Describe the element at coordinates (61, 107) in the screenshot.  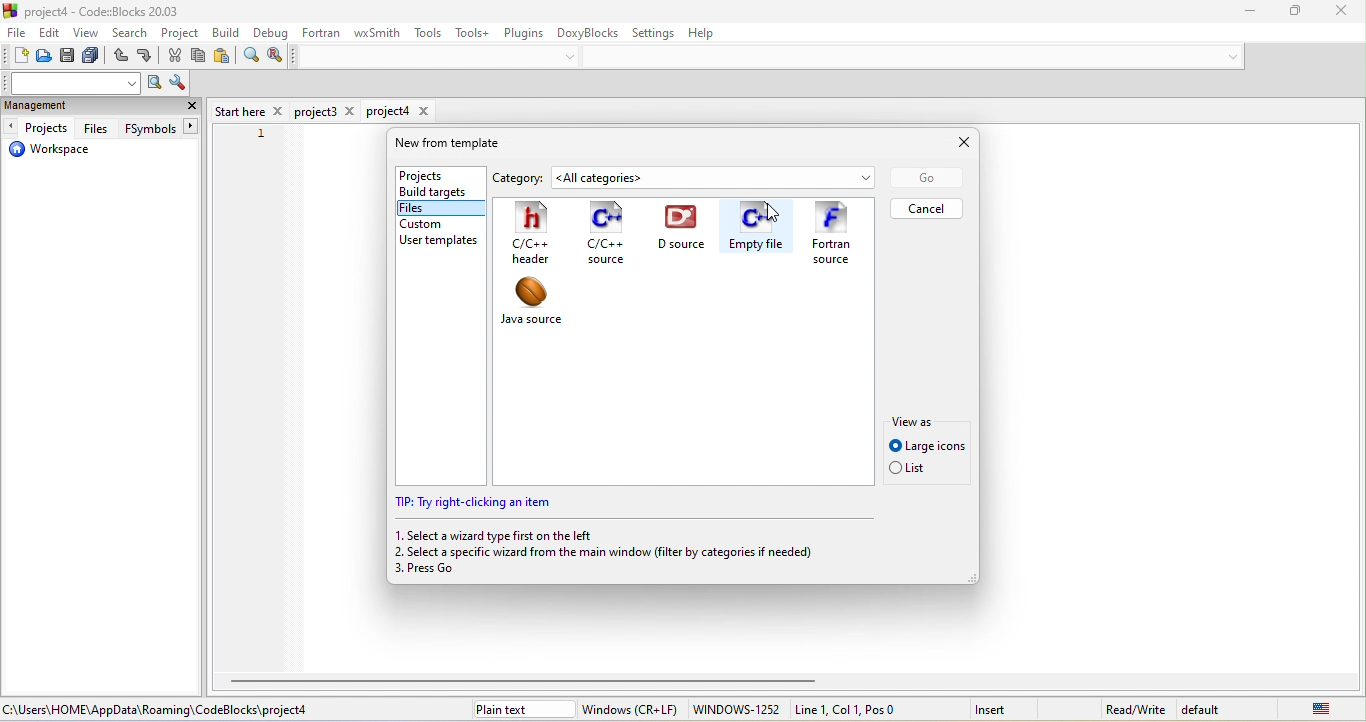
I see `management` at that location.